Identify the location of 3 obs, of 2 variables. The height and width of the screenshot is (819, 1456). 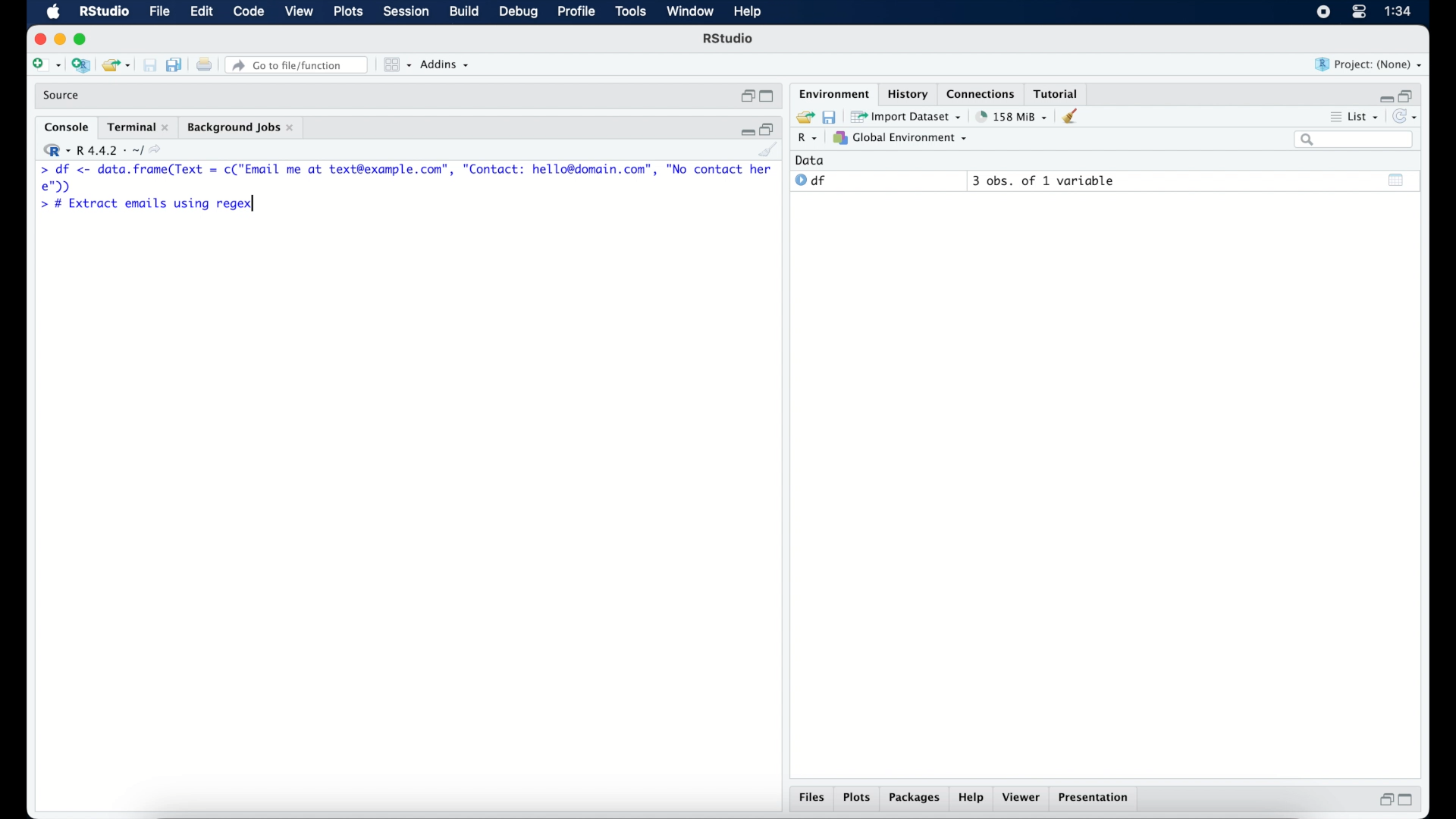
(1047, 180).